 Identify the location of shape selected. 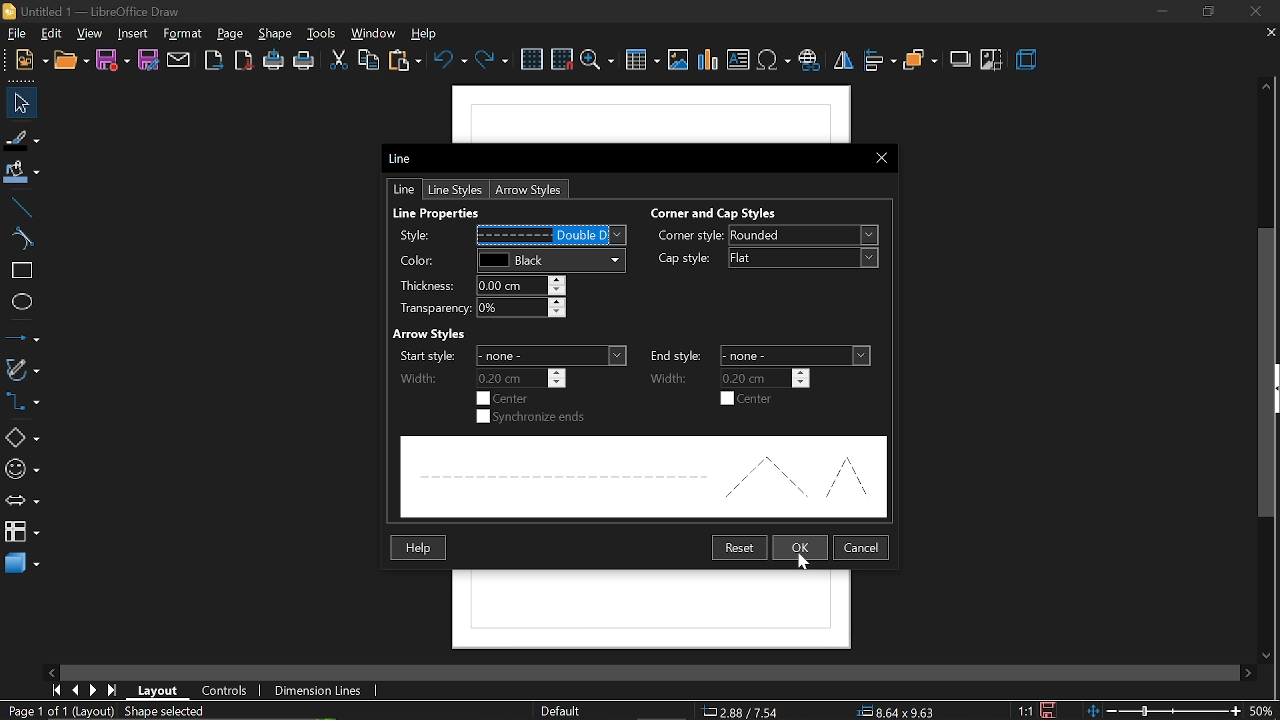
(164, 712).